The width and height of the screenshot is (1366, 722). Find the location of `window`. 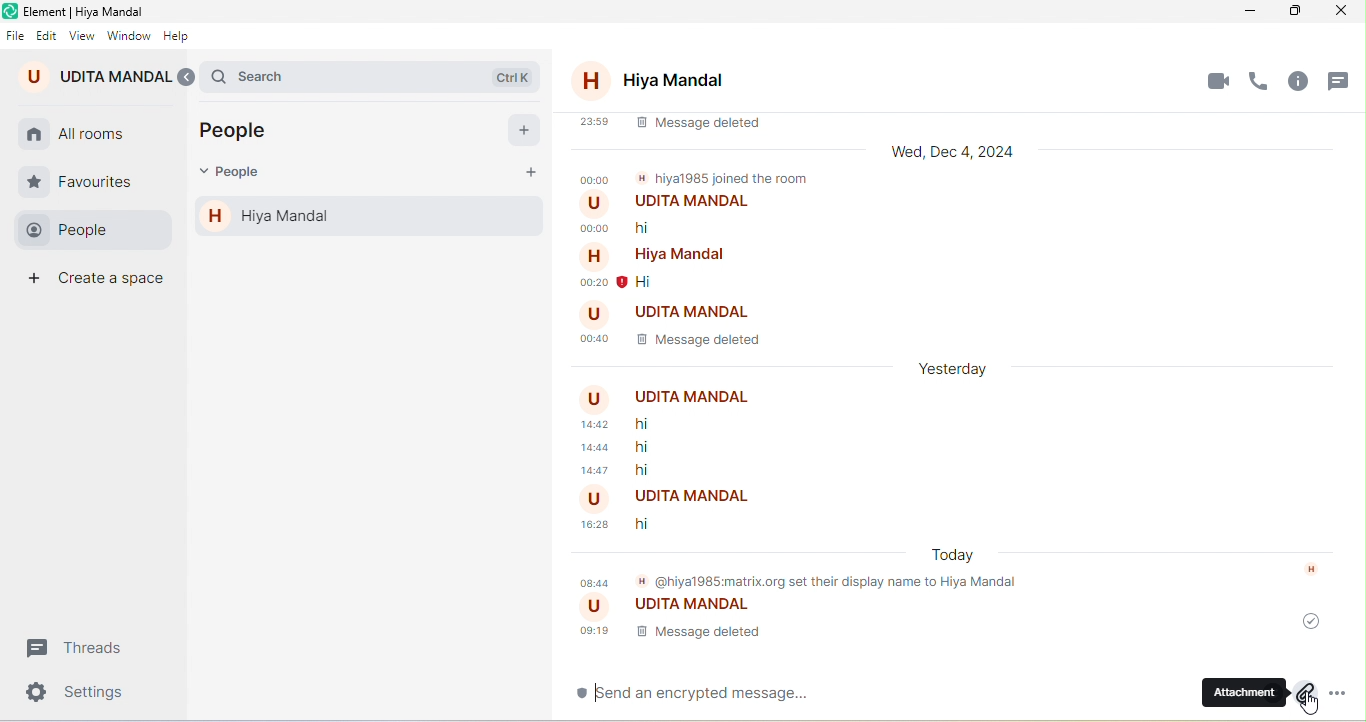

window is located at coordinates (129, 34).